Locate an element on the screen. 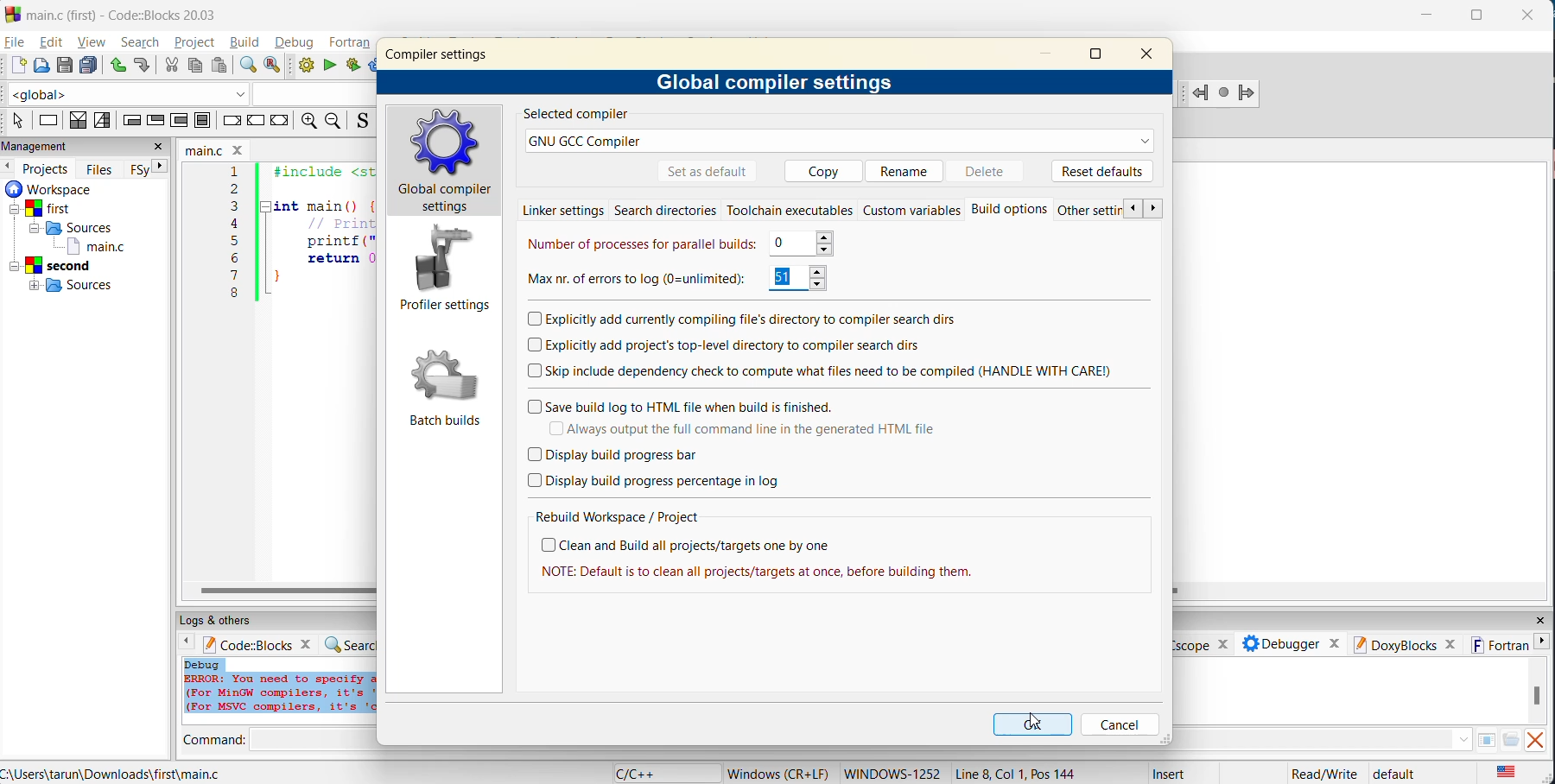  profile settings is located at coordinates (447, 269).